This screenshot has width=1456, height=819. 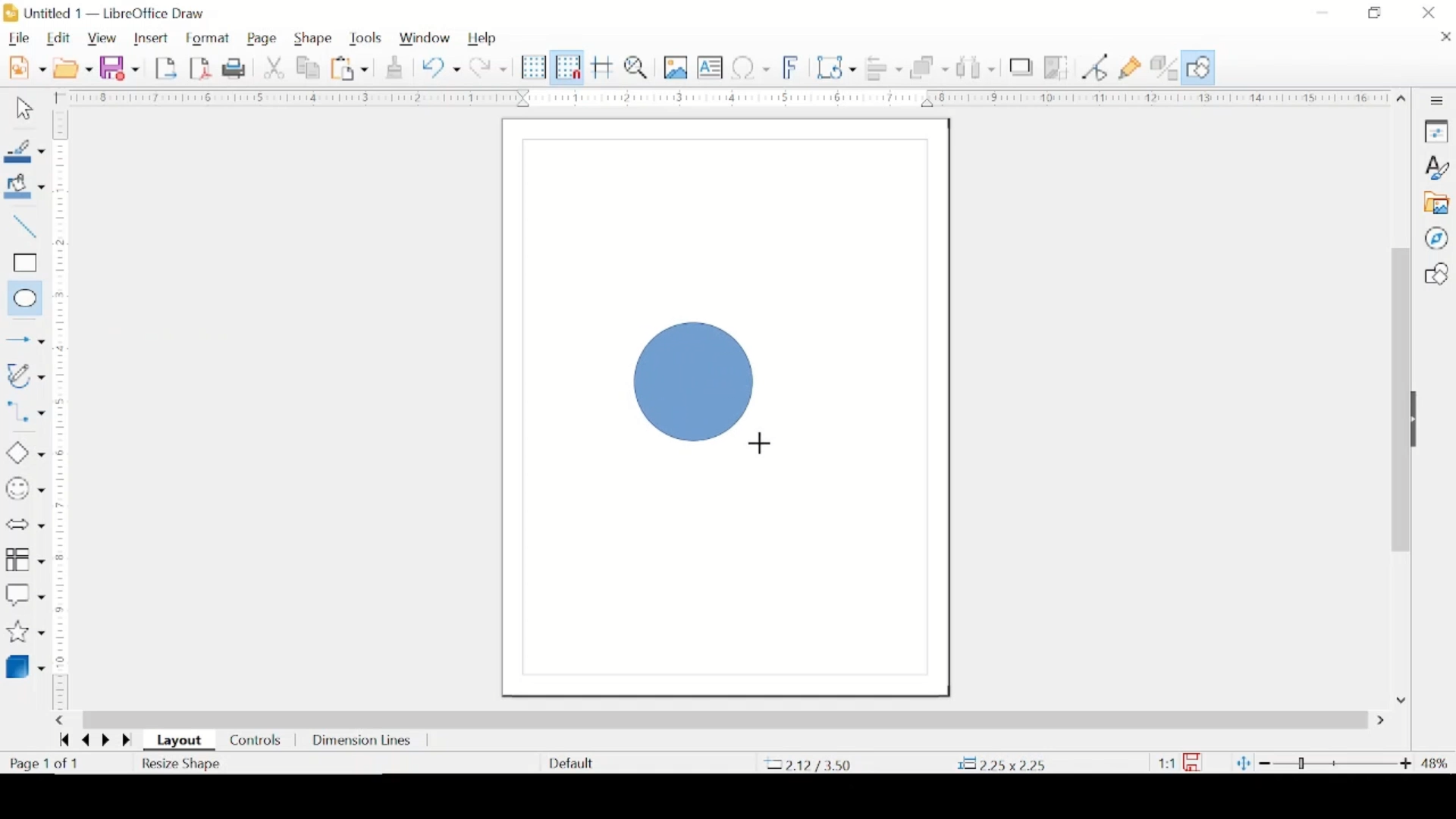 I want to click on select at least three objects to distribute, so click(x=975, y=67).